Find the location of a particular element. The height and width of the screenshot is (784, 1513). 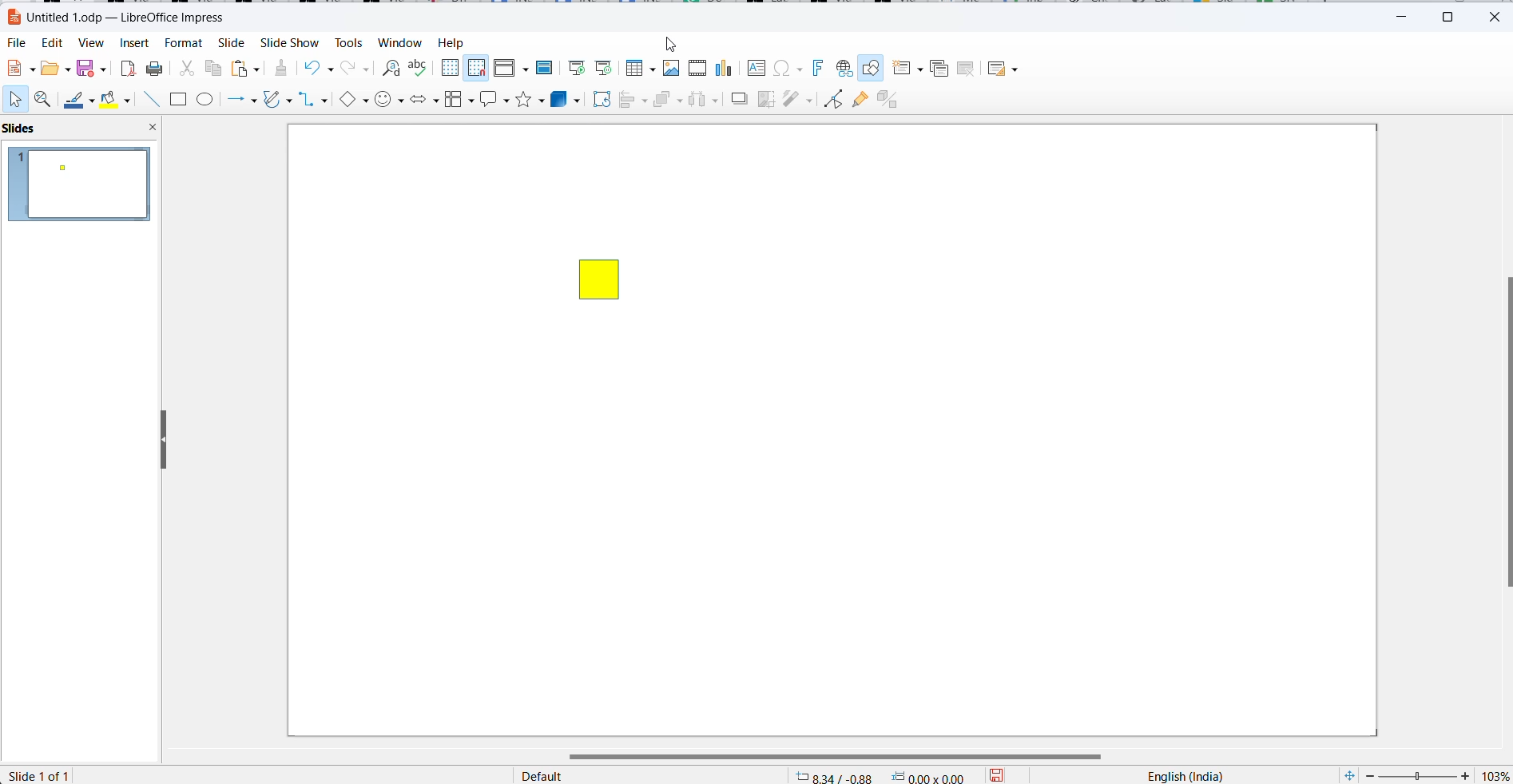

filters is located at coordinates (798, 98).